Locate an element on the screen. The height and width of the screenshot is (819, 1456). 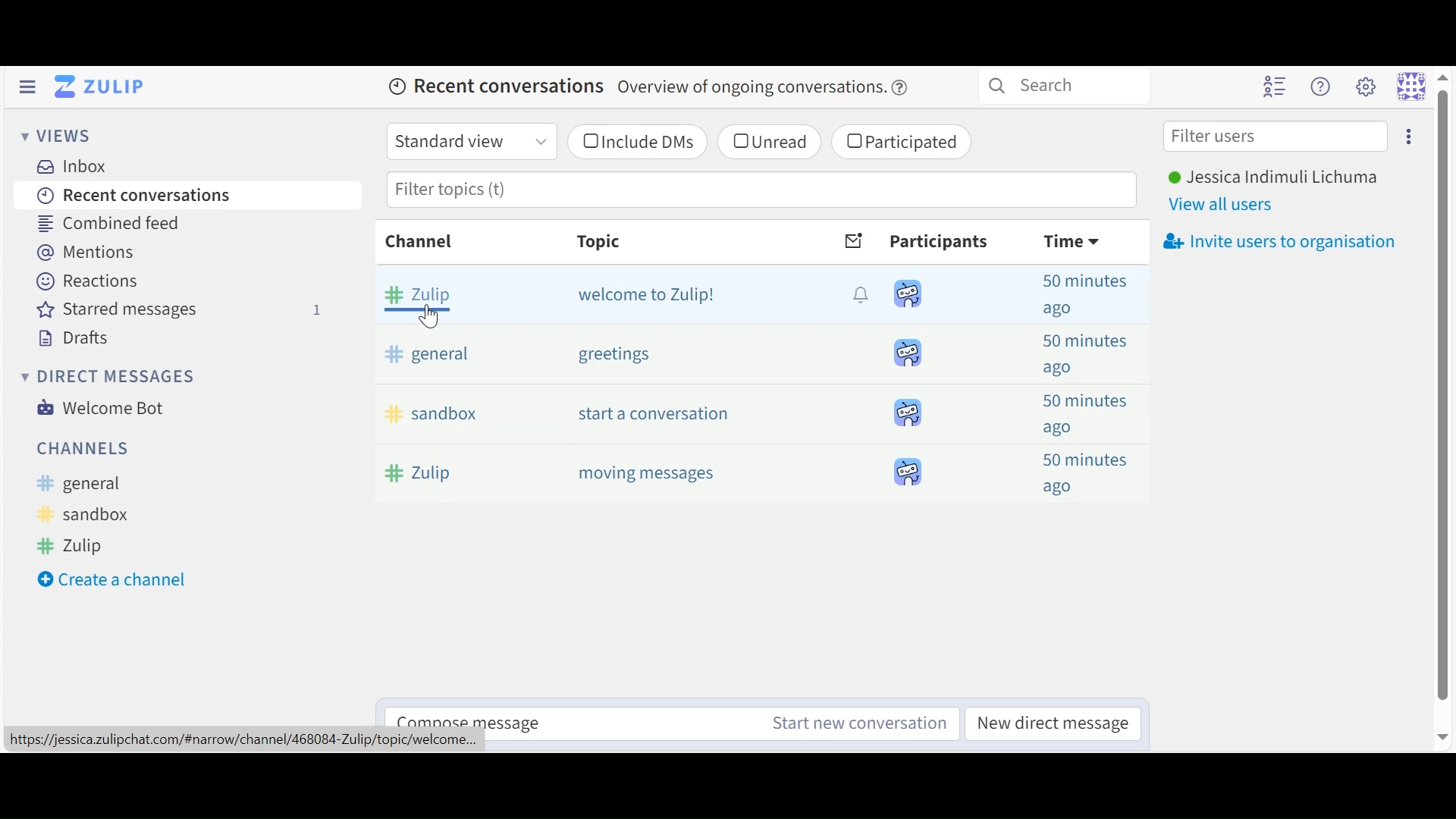
Hide user list is located at coordinates (1276, 84).